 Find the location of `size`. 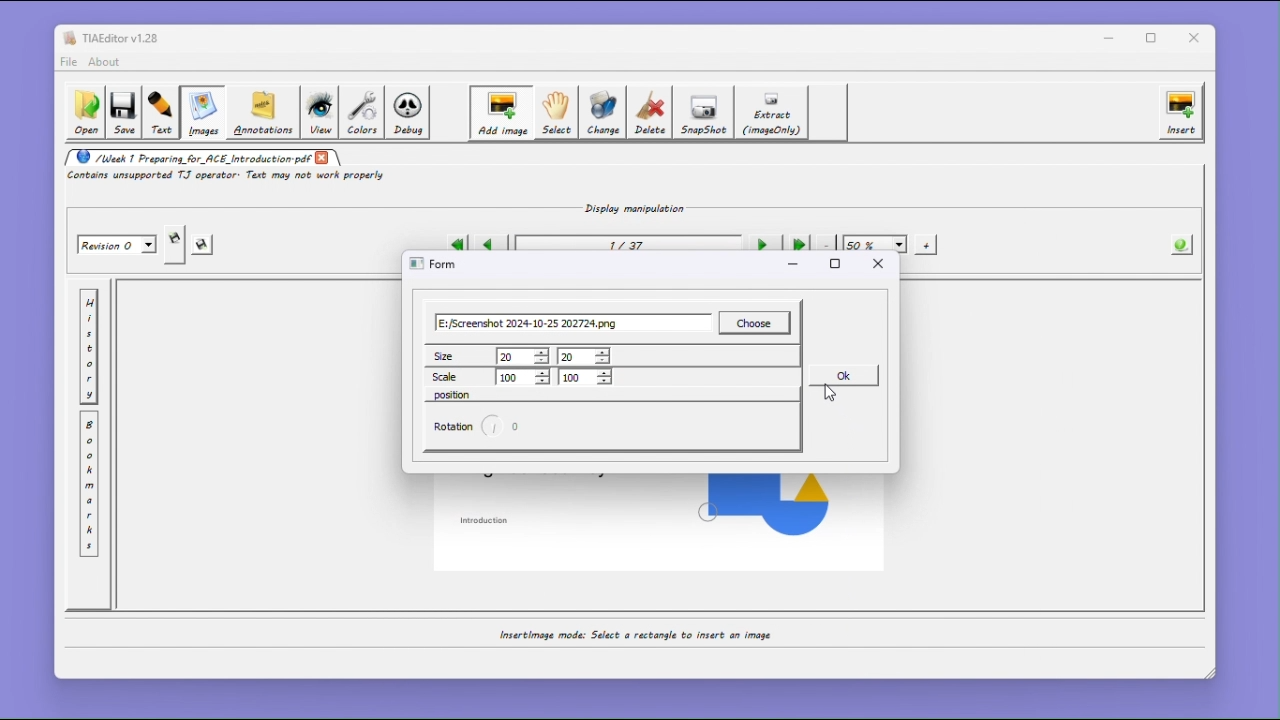

size is located at coordinates (459, 355).